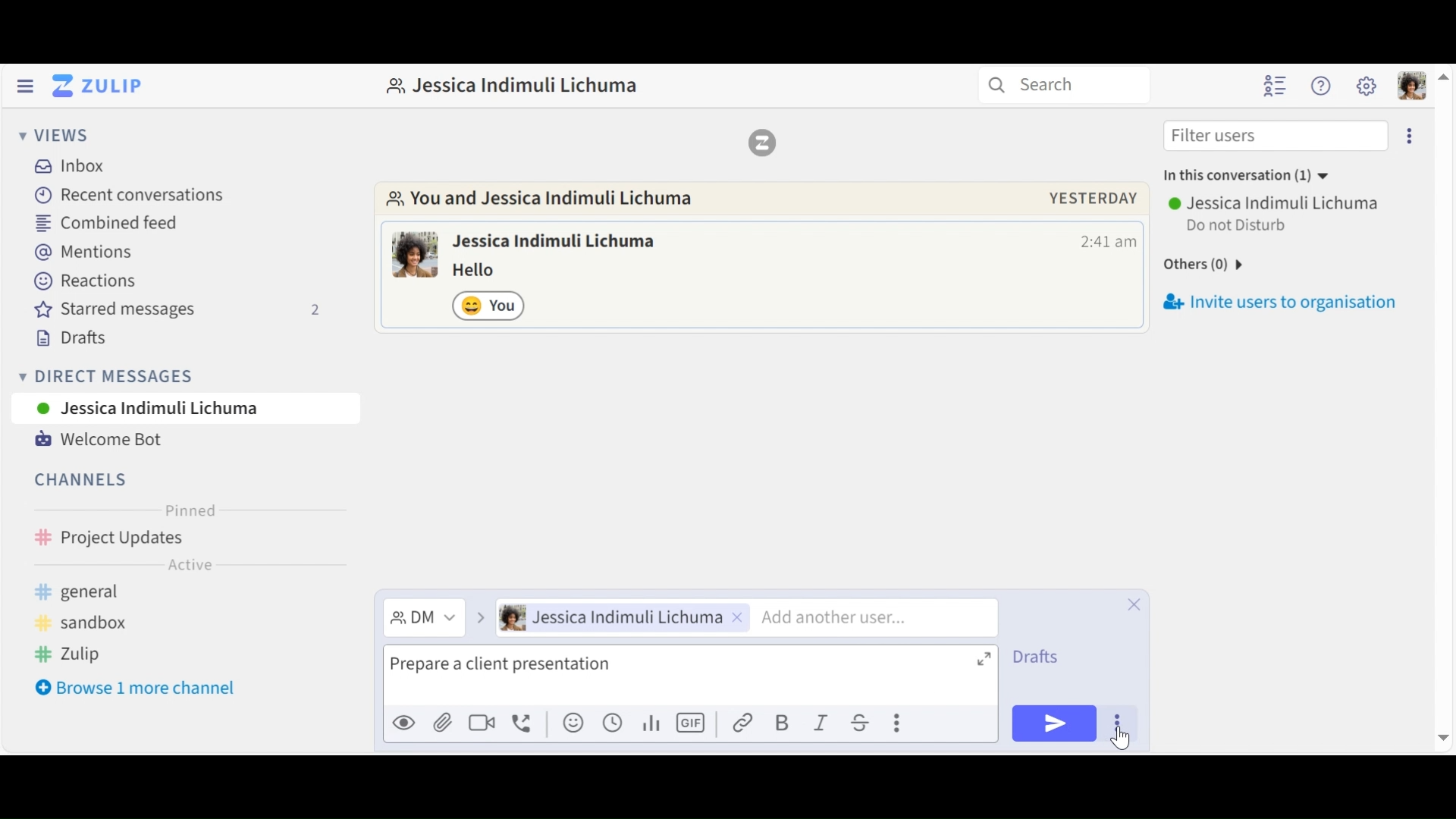 This screenshot has height=819, width=1456. I want to click on Starred messages, so click(178, 312).